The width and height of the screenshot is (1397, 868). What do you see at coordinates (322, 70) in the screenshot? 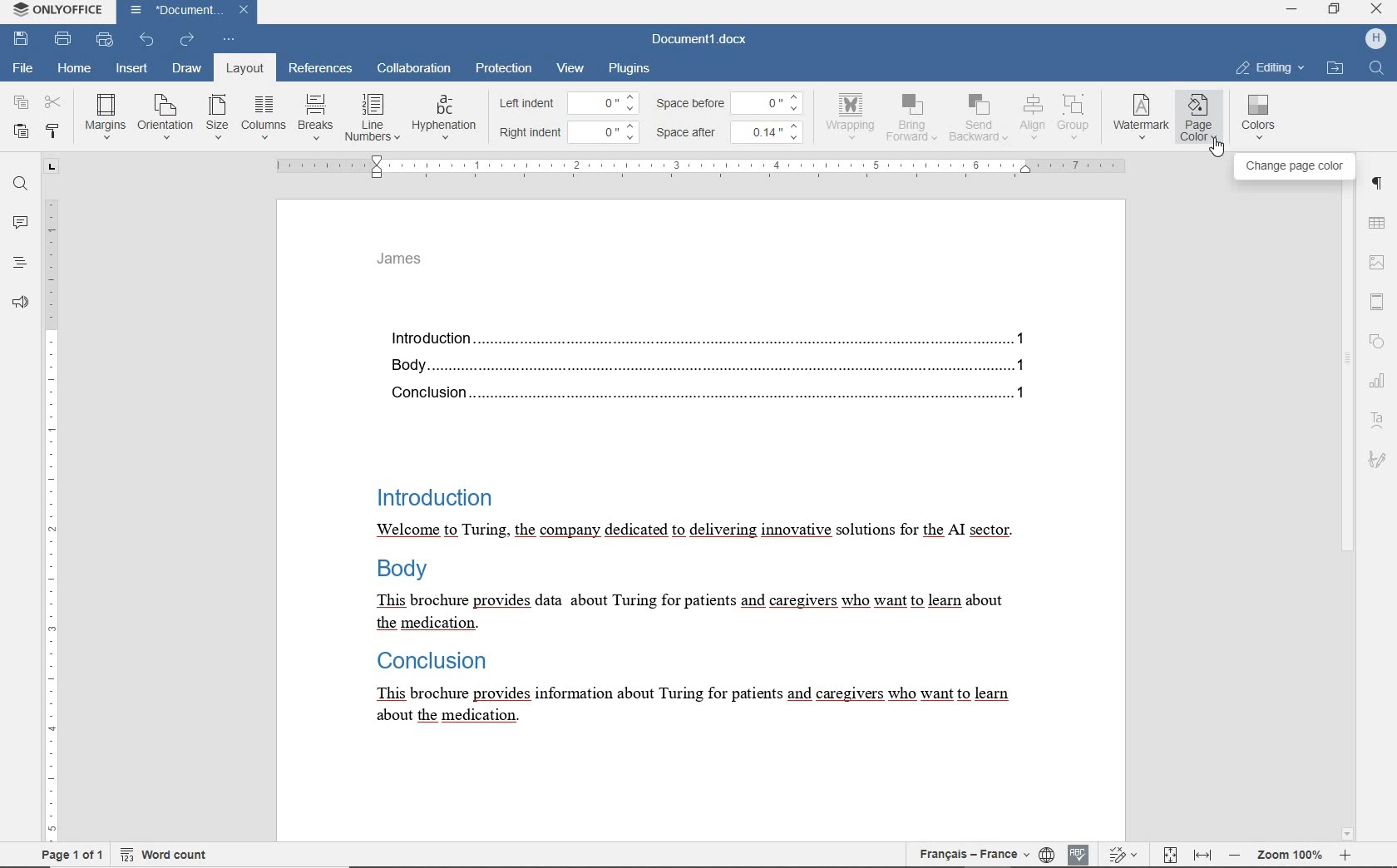
I see `references` at bounding box center [322, 70].